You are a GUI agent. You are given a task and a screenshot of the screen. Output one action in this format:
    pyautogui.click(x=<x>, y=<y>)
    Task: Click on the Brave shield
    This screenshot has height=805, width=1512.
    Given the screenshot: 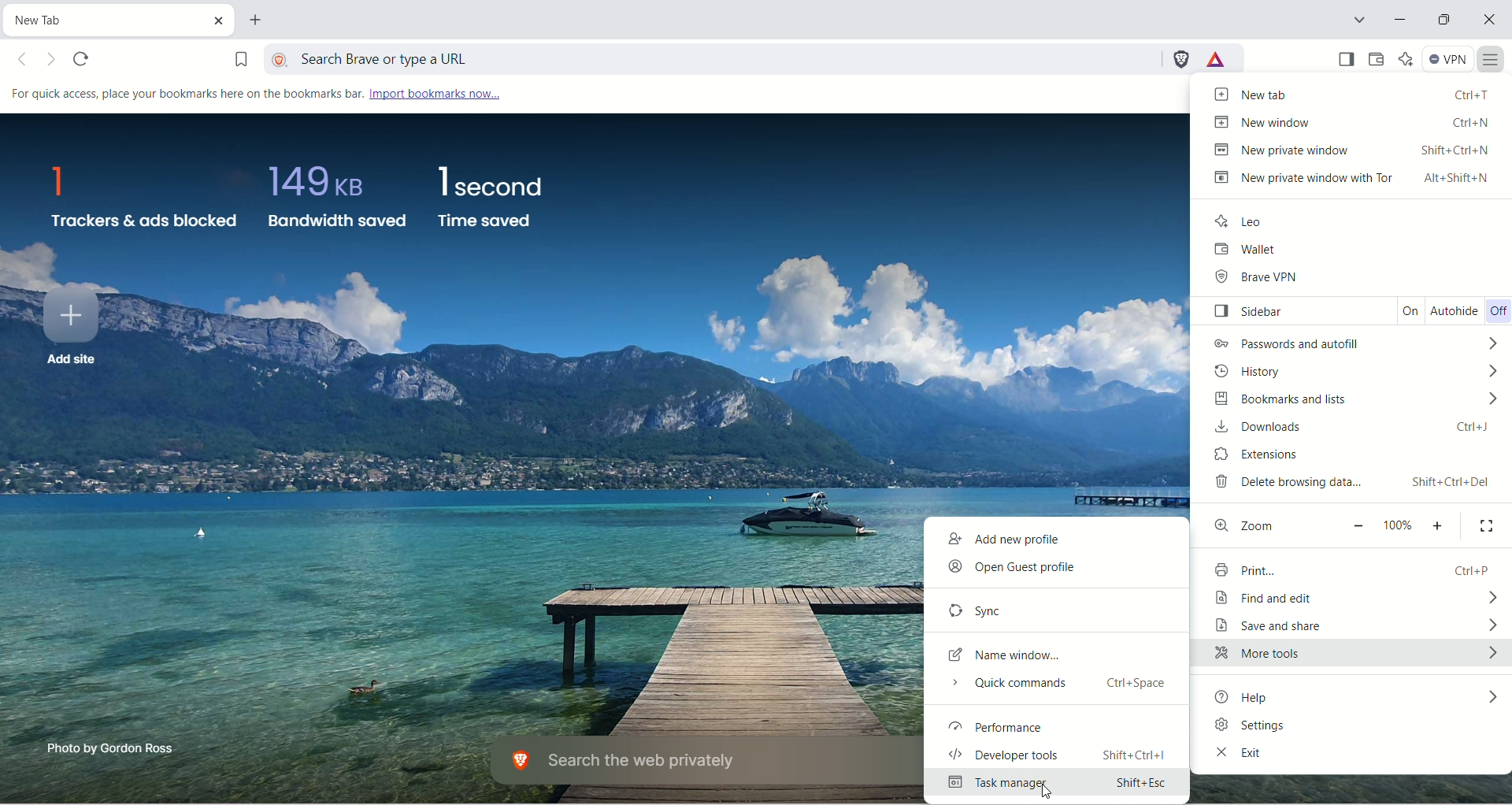 What is the action you would take?
    pyautogui.click(x=1180, y=59)
    